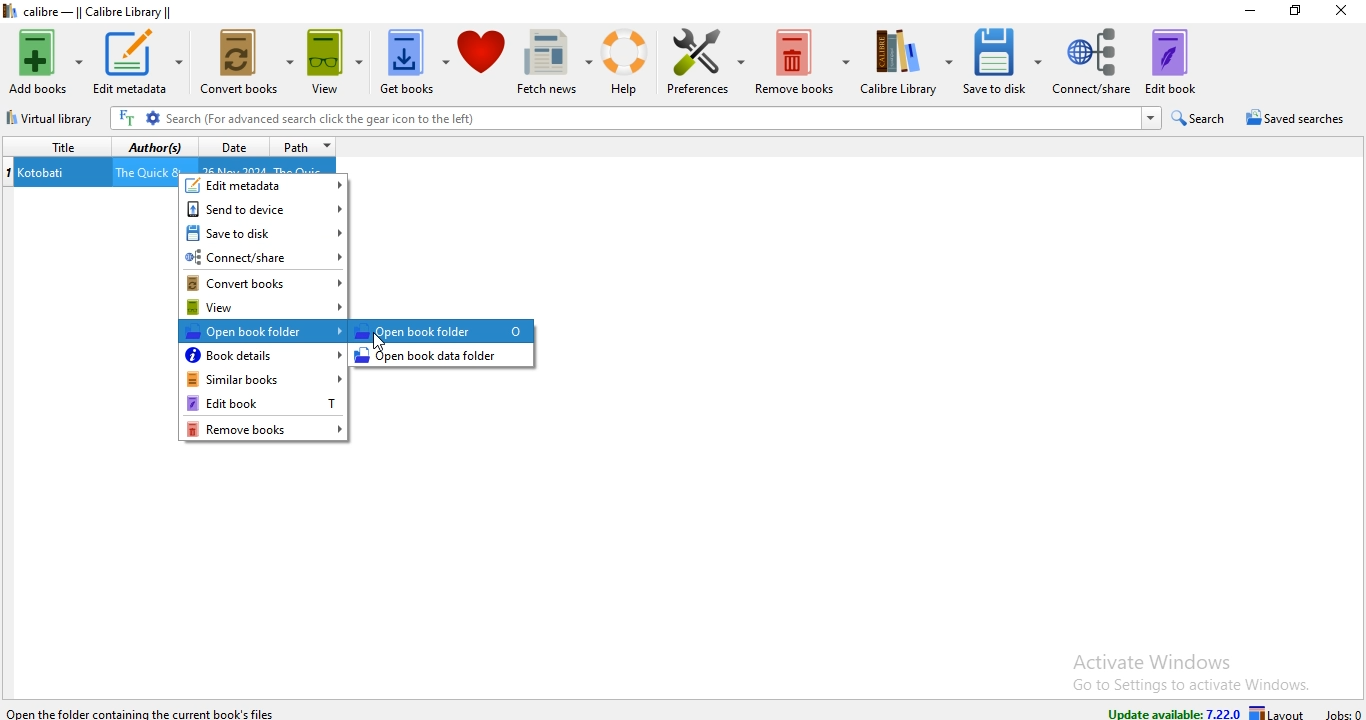 The width and height of the screenshot is (1366, 720). Describe the element at coordinates (262, 330) in the screenshot. I see `open book folder` at that location.